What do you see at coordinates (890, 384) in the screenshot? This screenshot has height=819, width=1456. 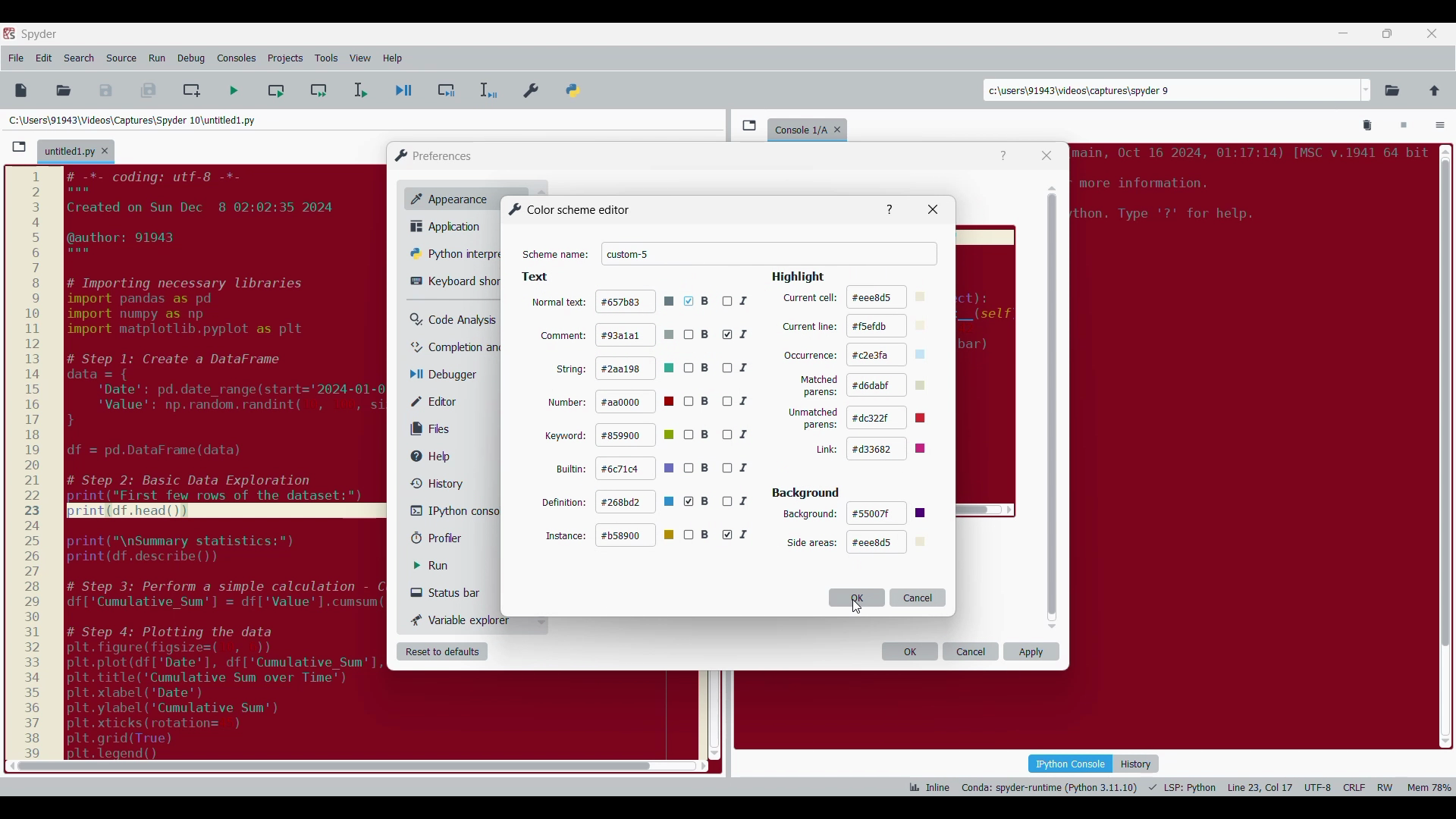 I see `d6dabf` at bounding box center [890, 384].